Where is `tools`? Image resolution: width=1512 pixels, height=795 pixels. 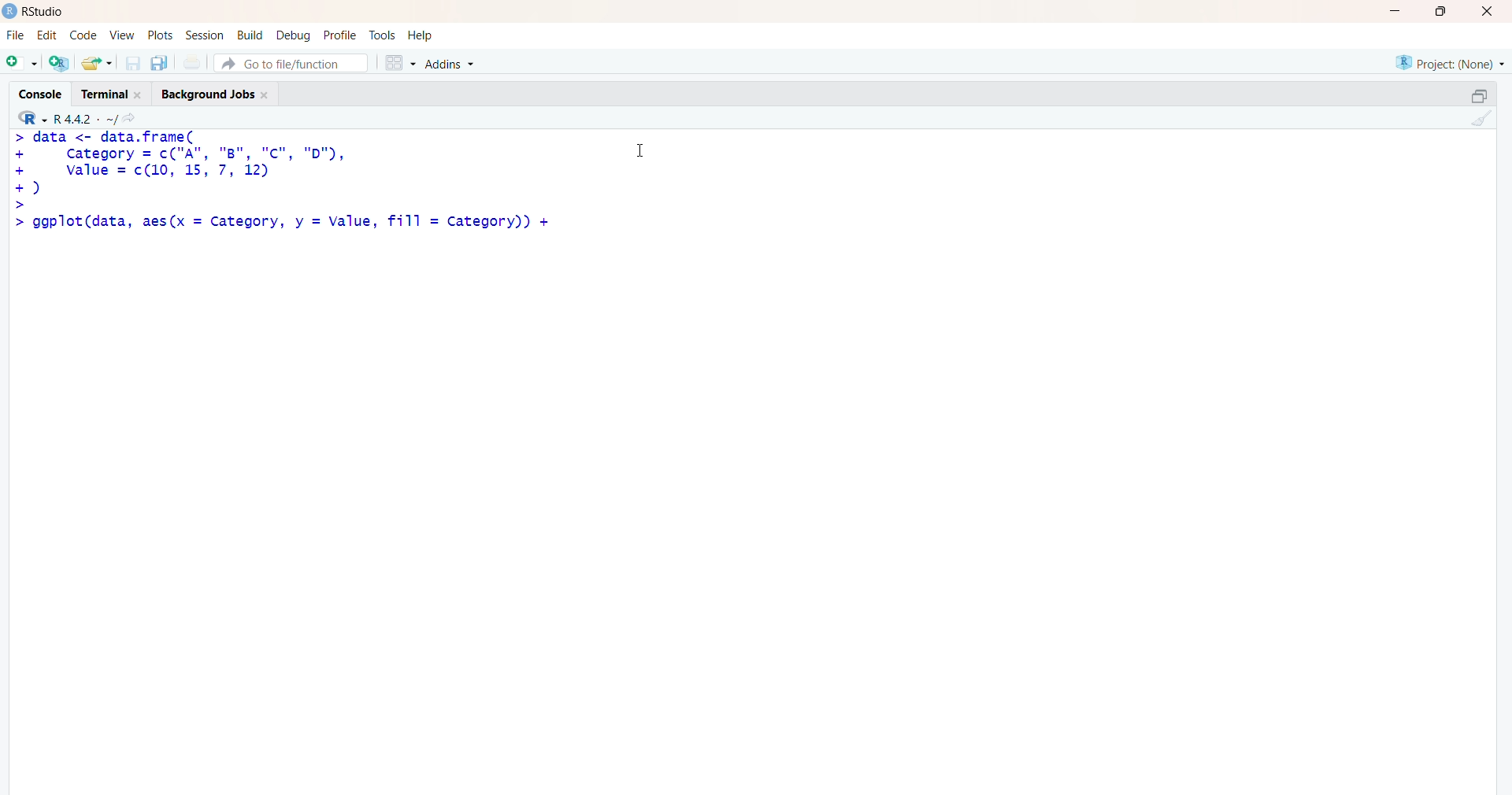 tools is located at coordinates (384, 35).